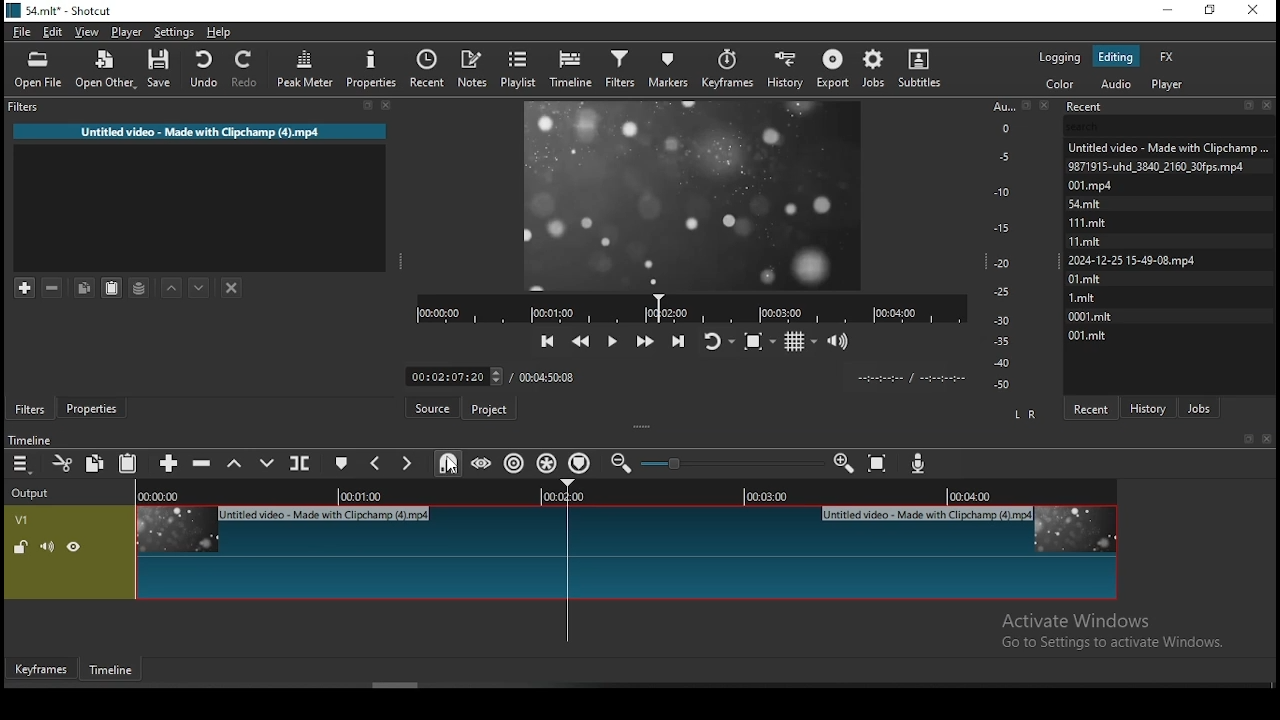 The height and width of the screenshot is (720, 1280). Describe the element at coordinates (1161, 246) in the screenshot. I see `Untied video - Made with Clipcham
9871915-uhd_3640_2160_30fps.mp4
001m
Stmit
mit
mit
| 2024-12-25 15-49-08.mp4
Olmit
Lmit
0001.mit
otmit` at that location.